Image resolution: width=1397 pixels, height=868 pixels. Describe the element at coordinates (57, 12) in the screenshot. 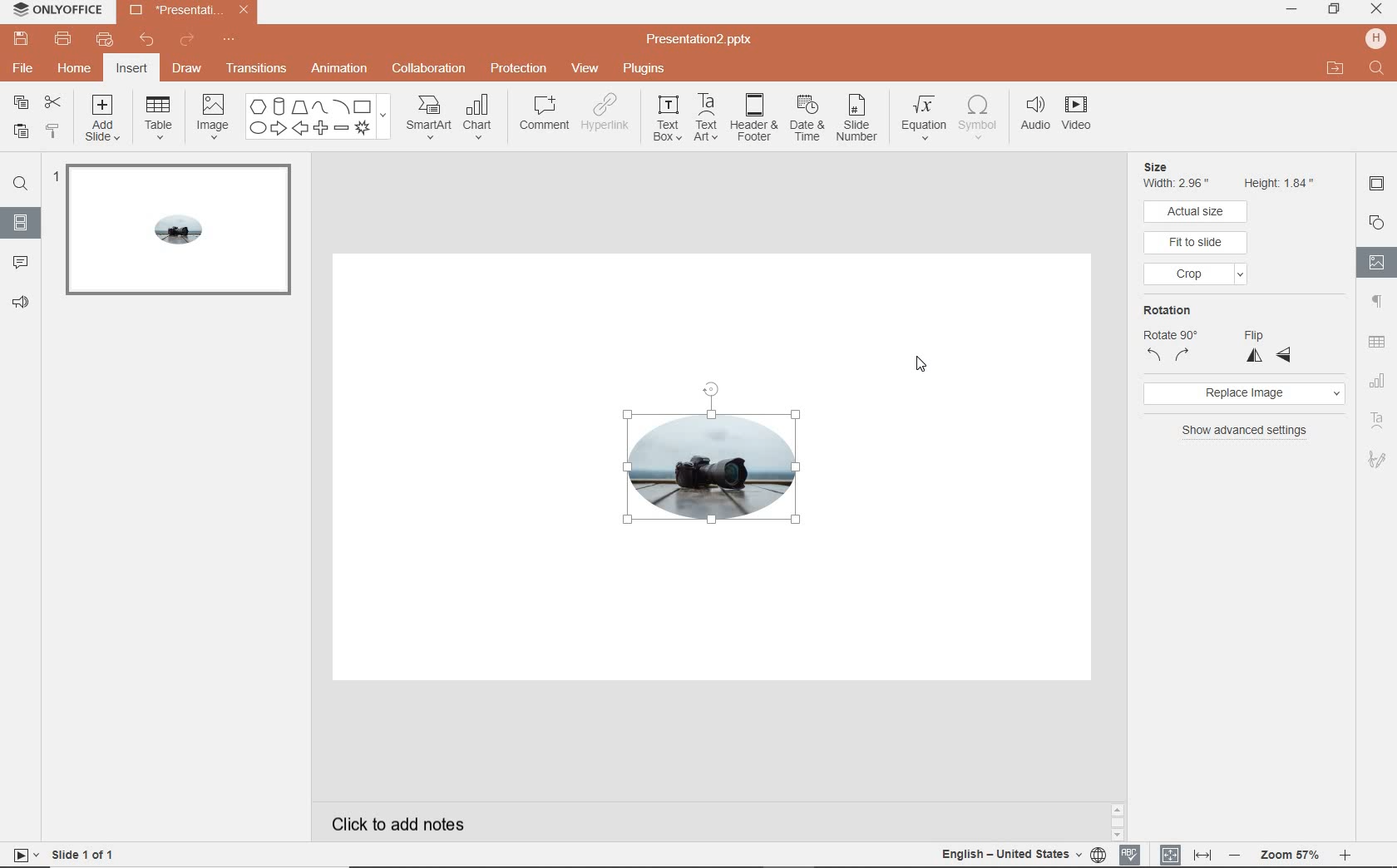

I see `ONLYOFFICE` at that location.